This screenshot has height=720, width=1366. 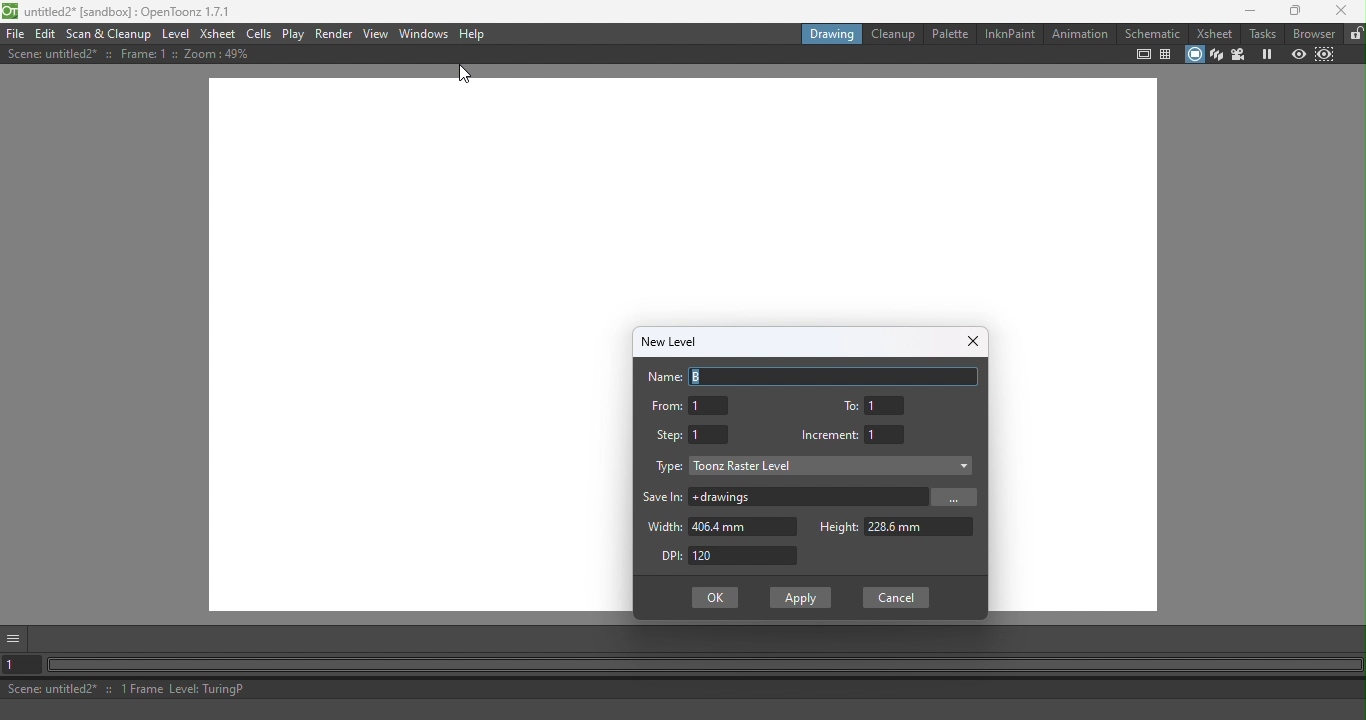 What do you see at coordinates (468, 75) in the screenshot?
I see `cursor` at bounding box center [468, 75].